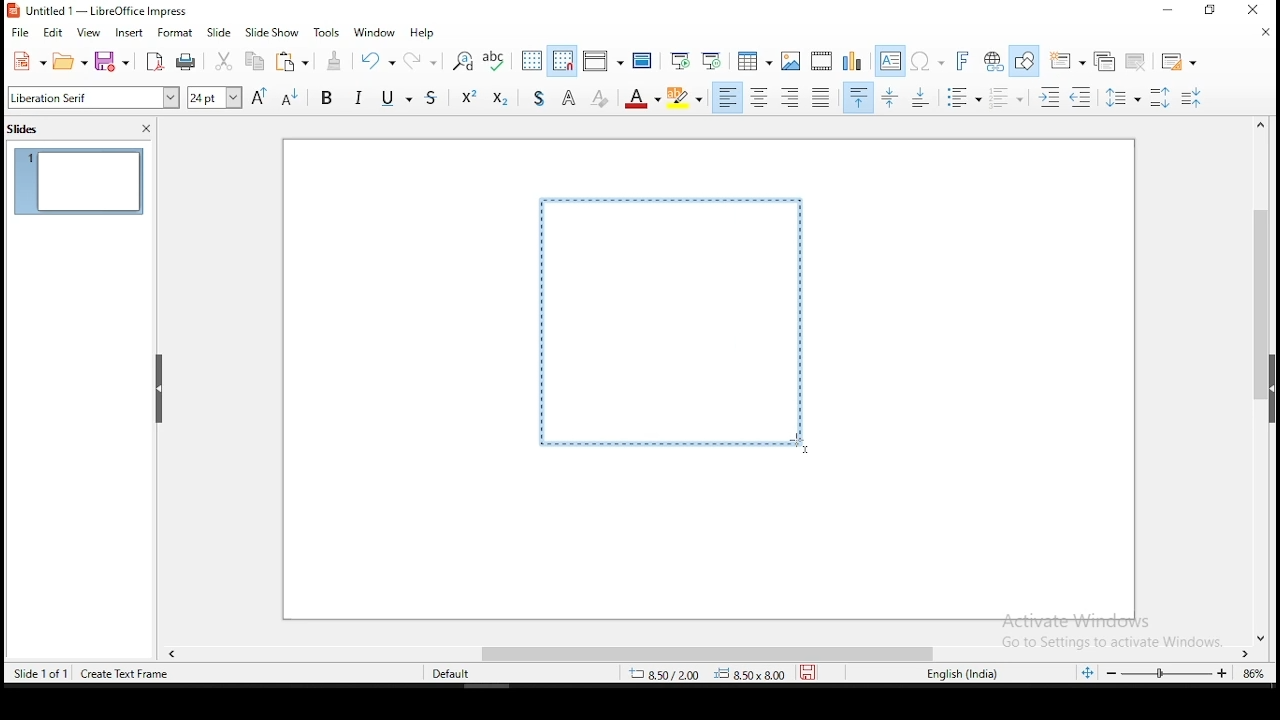 The width and height of the screenshot is (1280, 720). Describe the element at coordinates (1166, 12) in the screenshot. I see `minimize` at that location.